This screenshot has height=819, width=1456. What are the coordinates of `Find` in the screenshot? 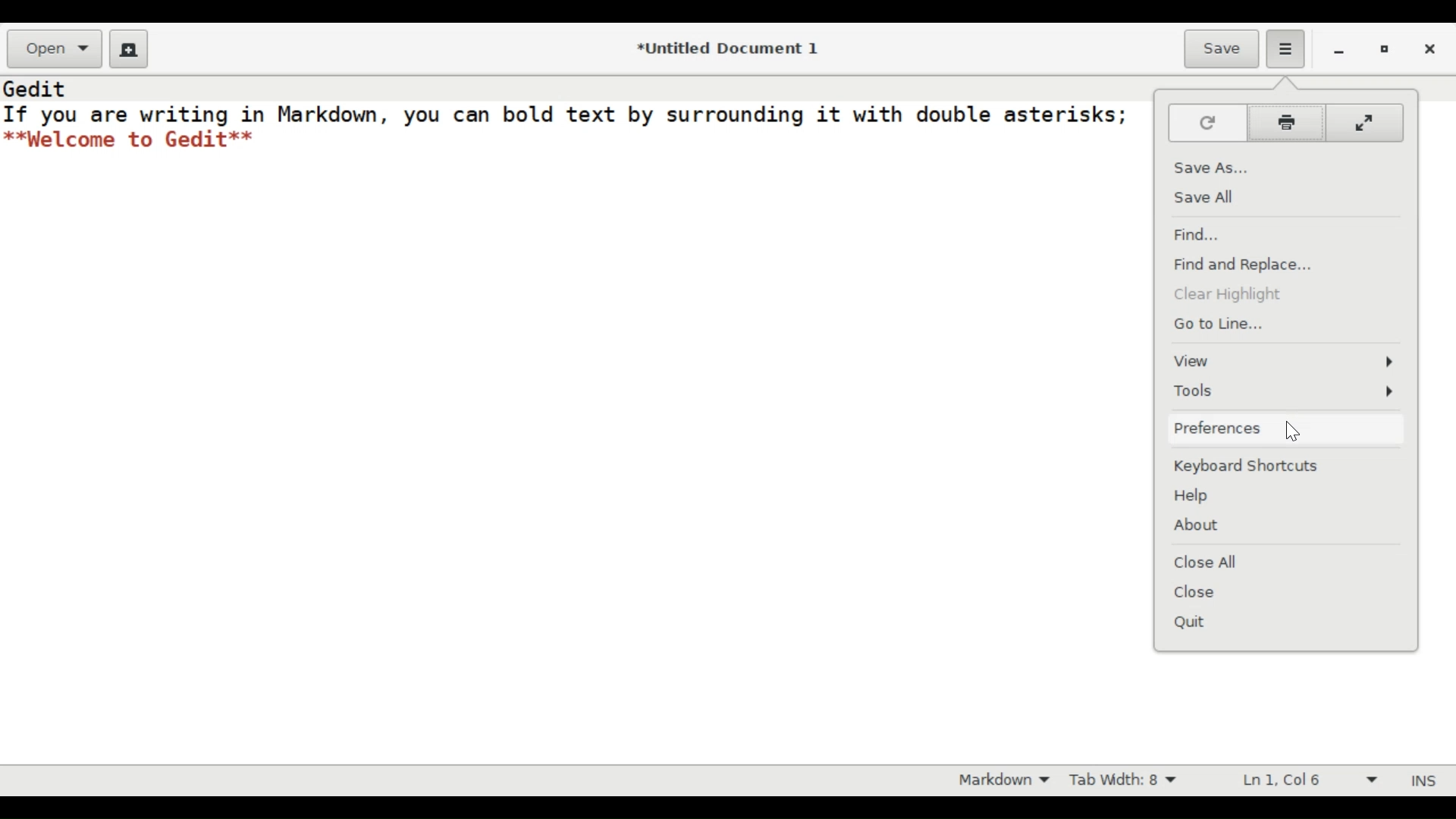 It's located at (1200, 234).